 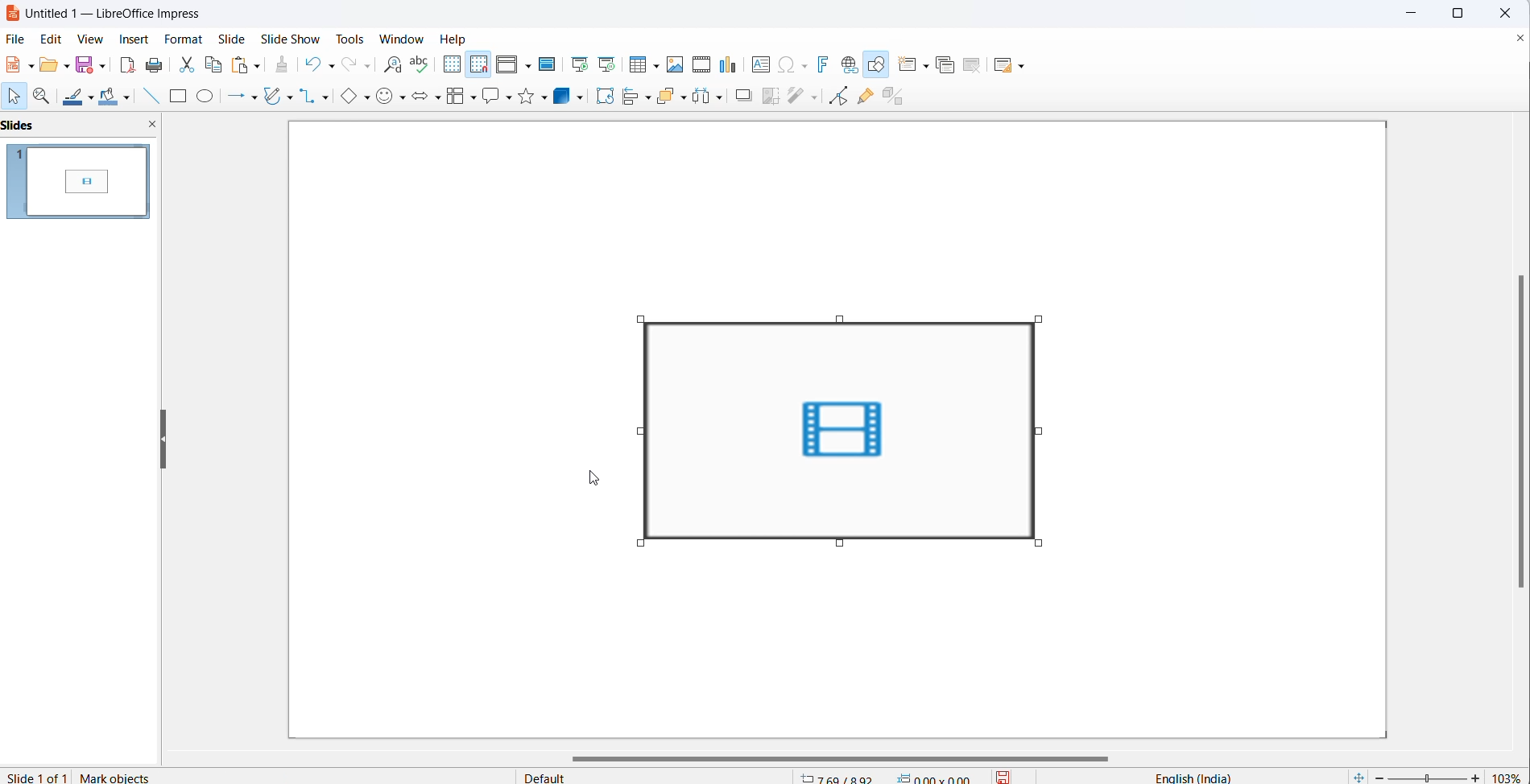 I want to click on symbol shapes options, so click(x=402, y=98).